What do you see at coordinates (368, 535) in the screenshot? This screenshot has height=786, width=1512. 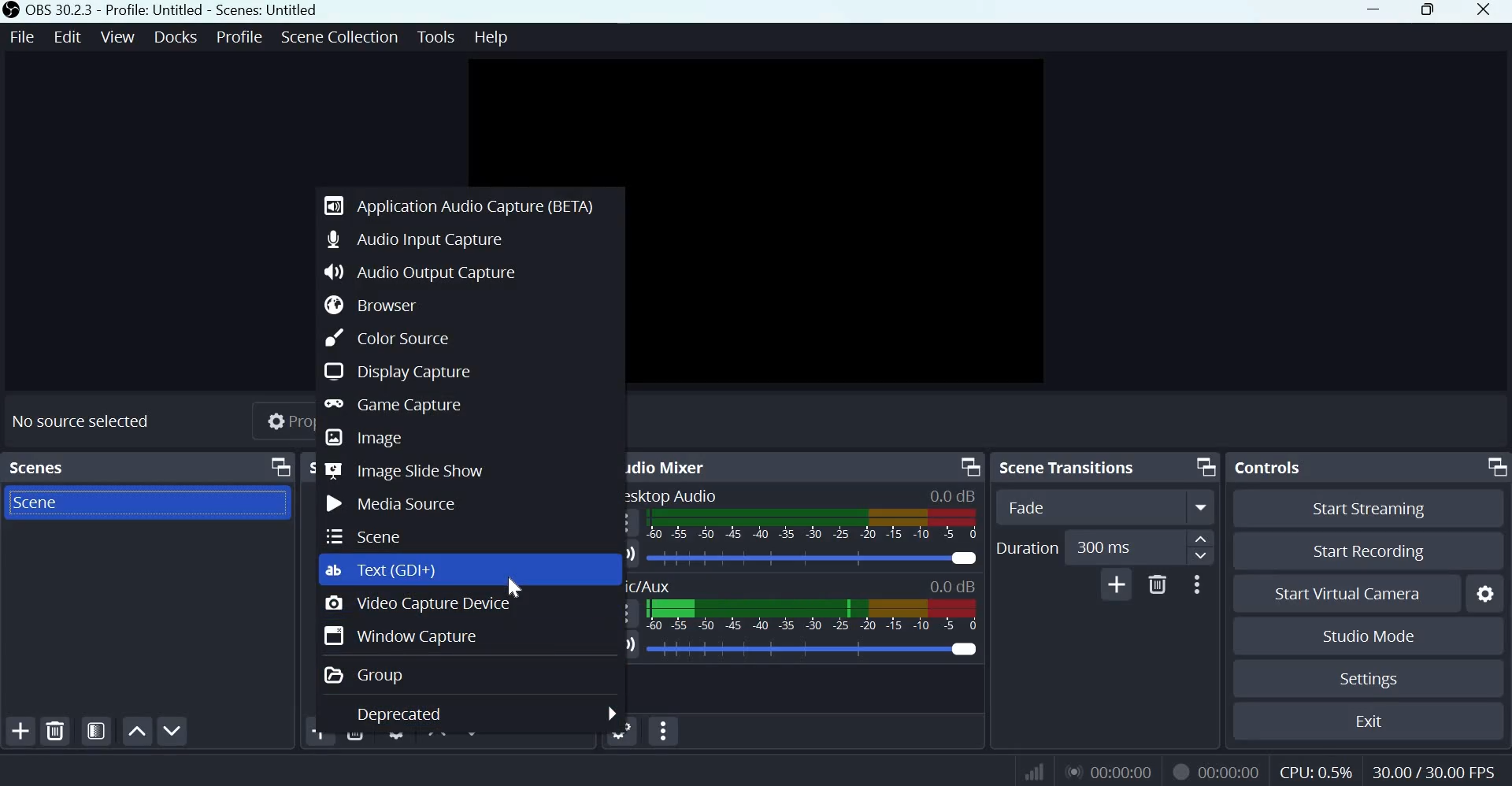 I see `Scene` at bounding box center [368, 535].